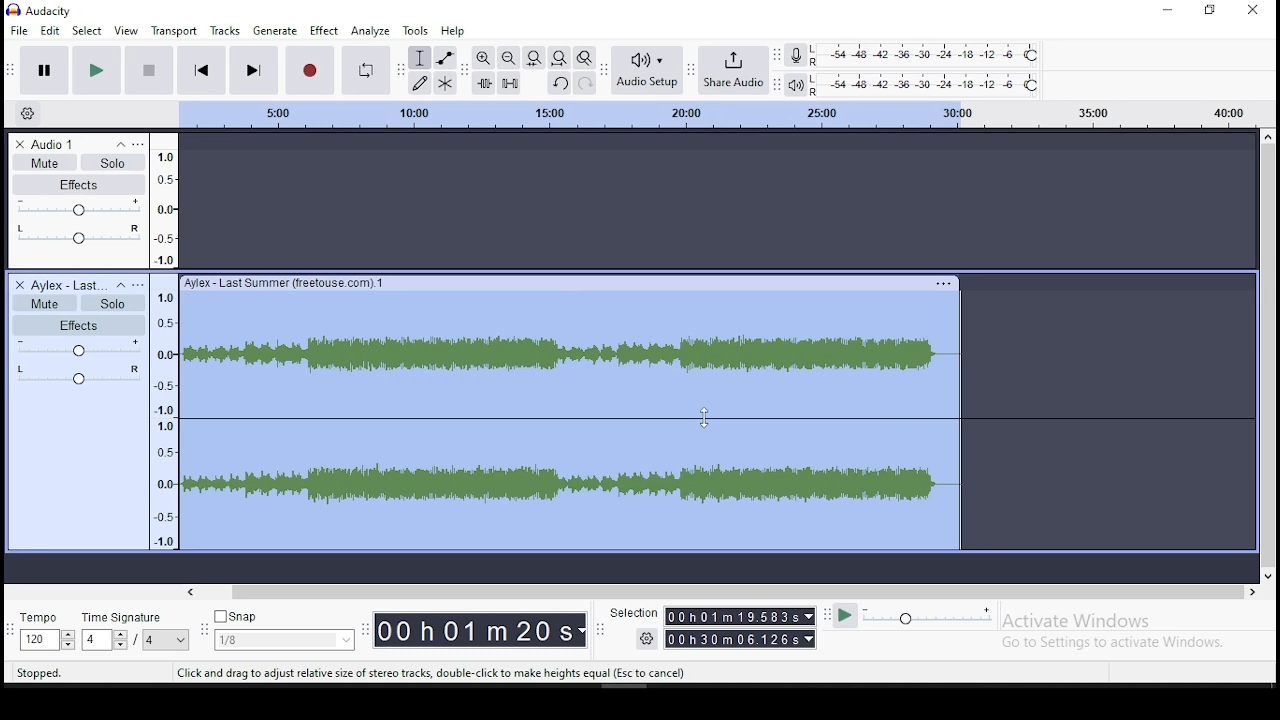 This screenshot has height=720, width=1280. Describe the element at coordinates (164, 340) in the screenshot. I see `scale` at that location.